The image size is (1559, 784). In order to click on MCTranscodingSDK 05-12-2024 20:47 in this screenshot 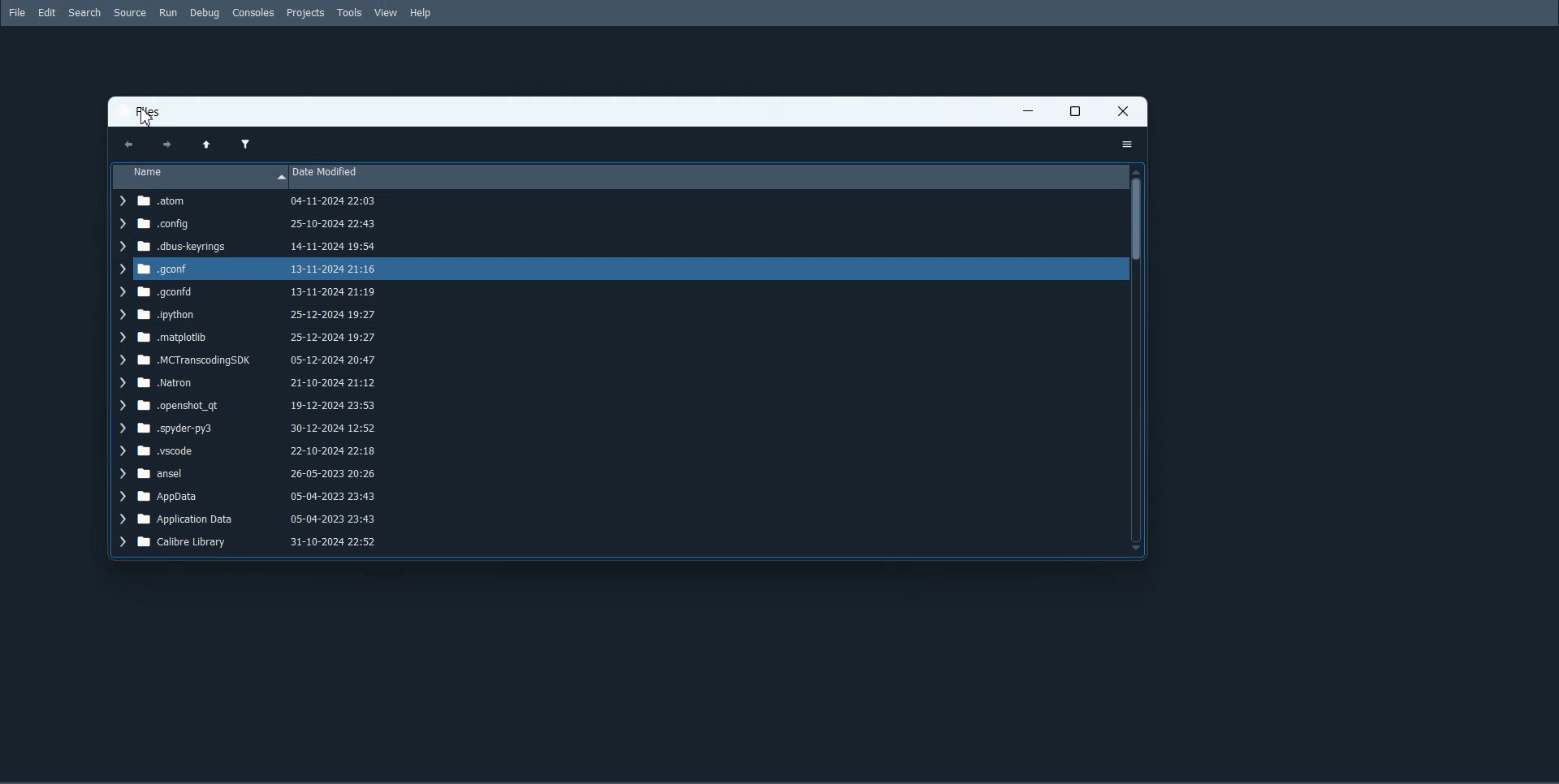, I will do `click(249, 360)`.